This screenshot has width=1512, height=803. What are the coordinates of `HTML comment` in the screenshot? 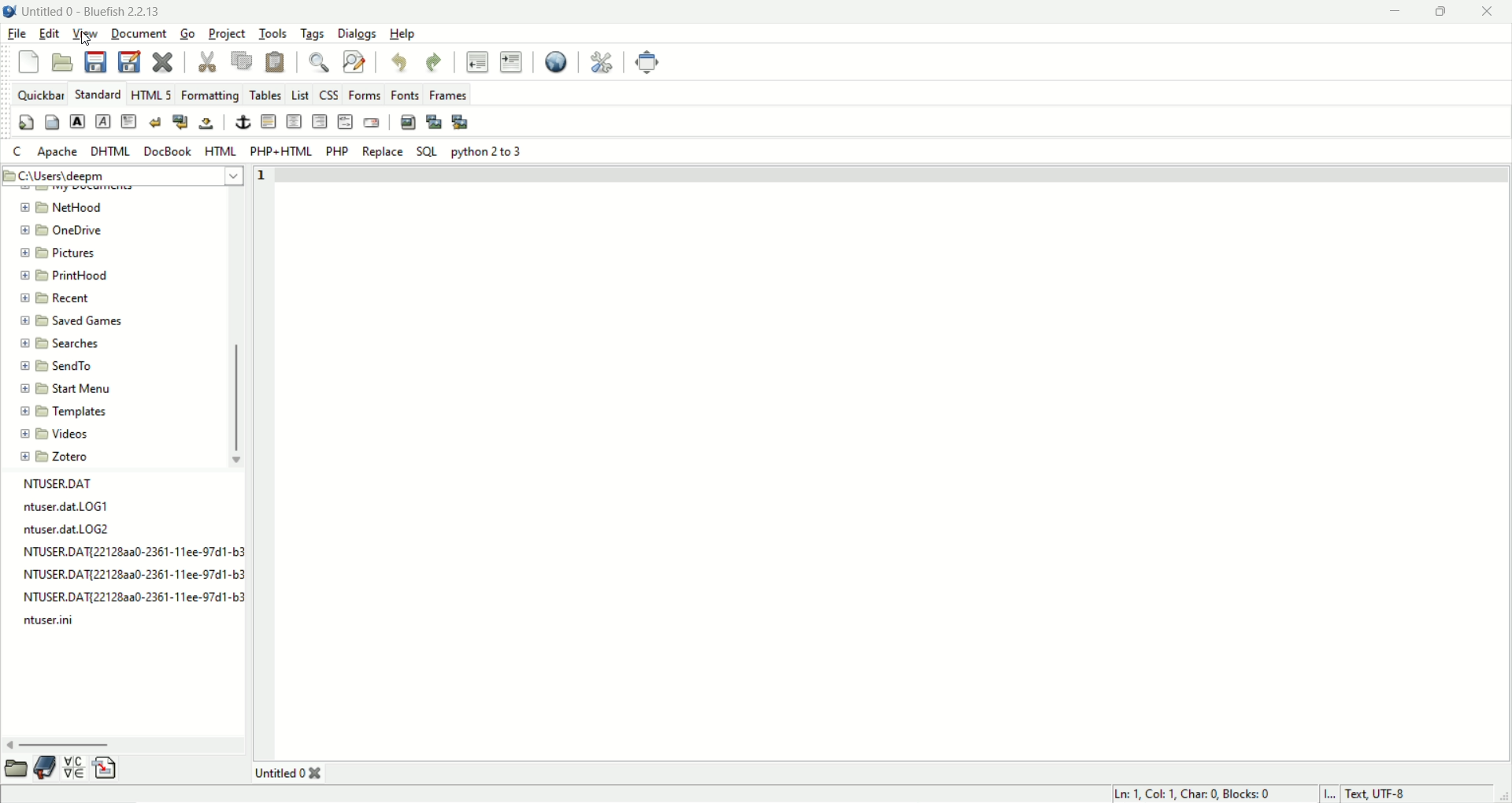 It's located at (344, 122).